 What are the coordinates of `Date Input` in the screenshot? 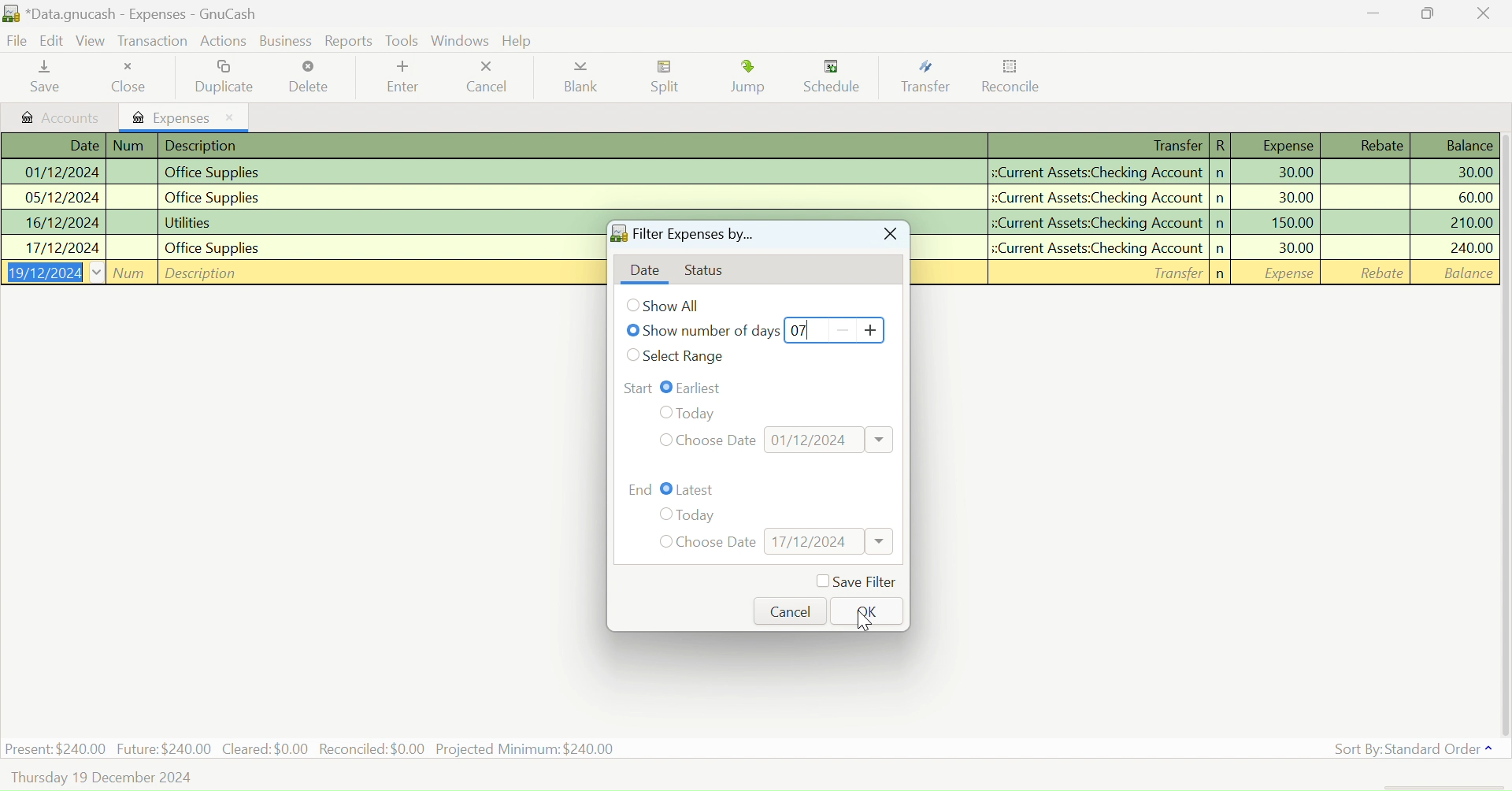 It's located at (830, 439).